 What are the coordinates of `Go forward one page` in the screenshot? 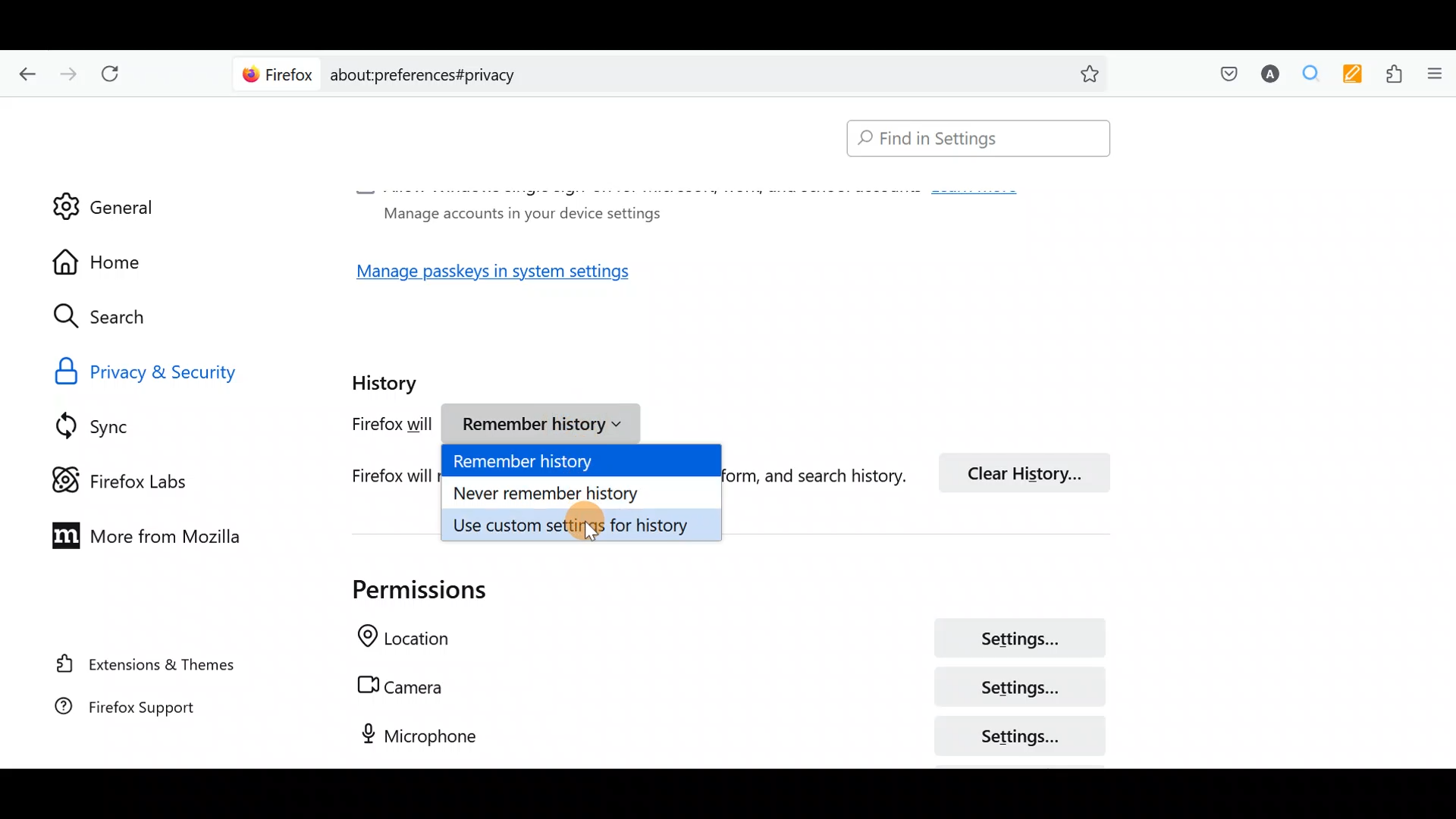 It's located at (67, 70).